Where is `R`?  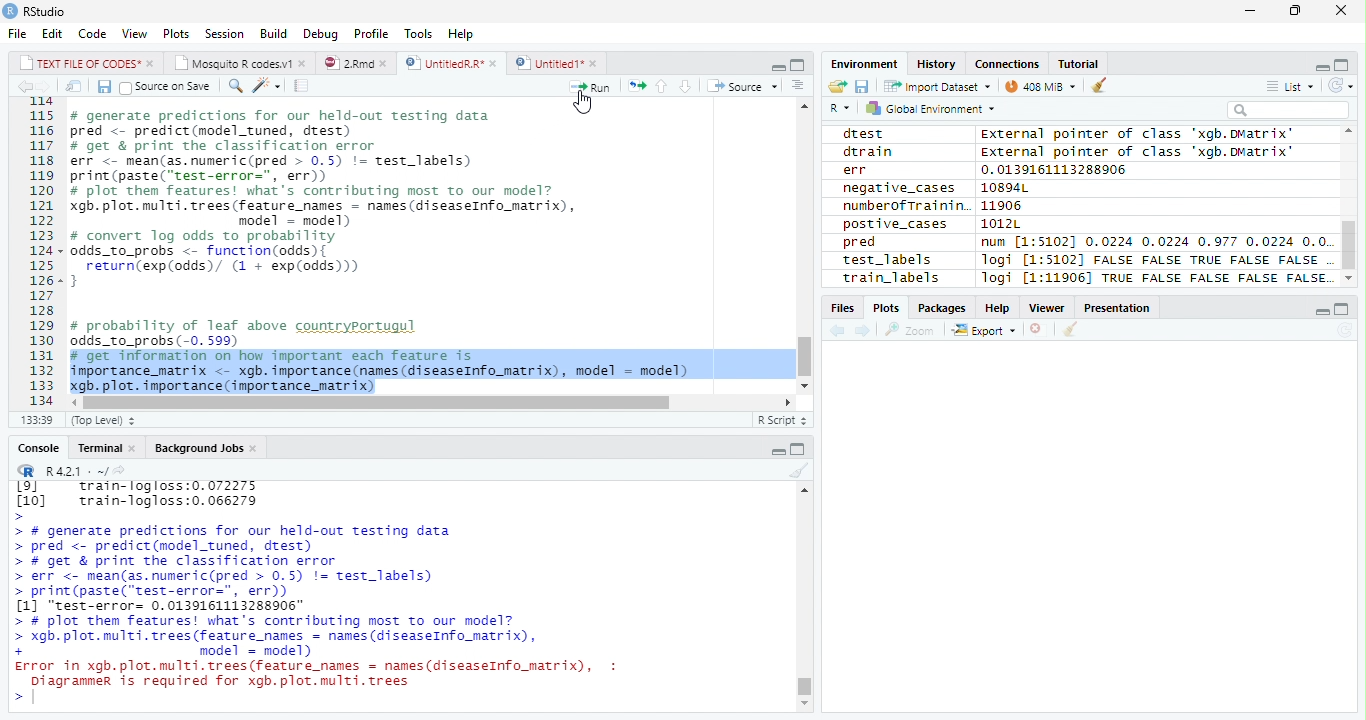 R is located at coordinates (840, 106).